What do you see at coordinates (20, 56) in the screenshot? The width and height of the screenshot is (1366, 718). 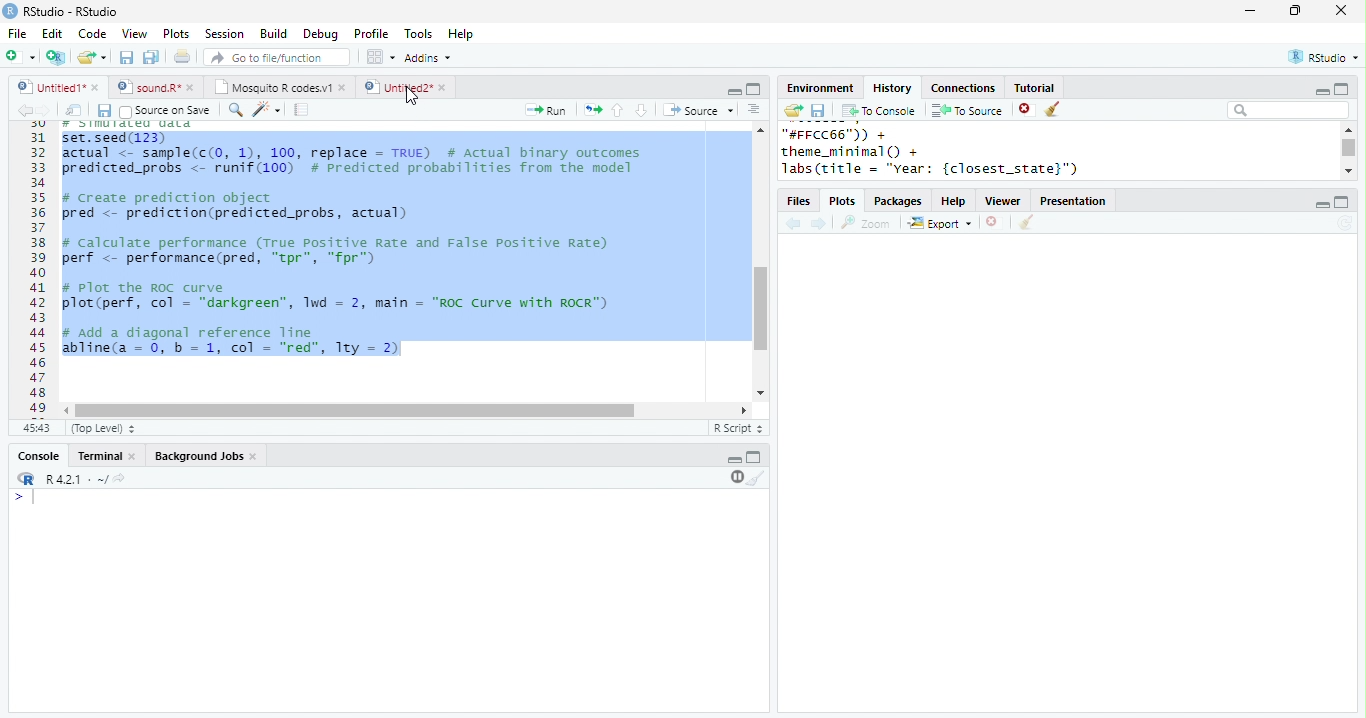 I see `new file` at bounding box center [20, 56].